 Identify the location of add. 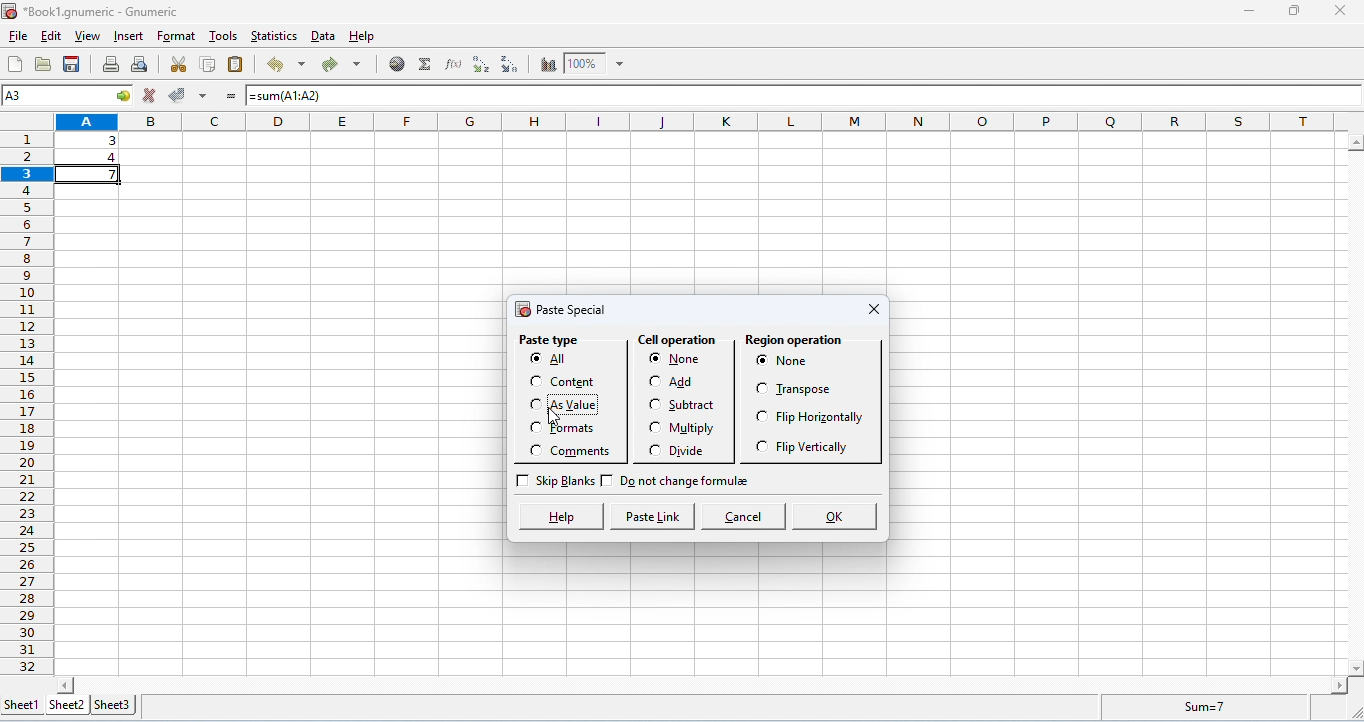
(688, 381).